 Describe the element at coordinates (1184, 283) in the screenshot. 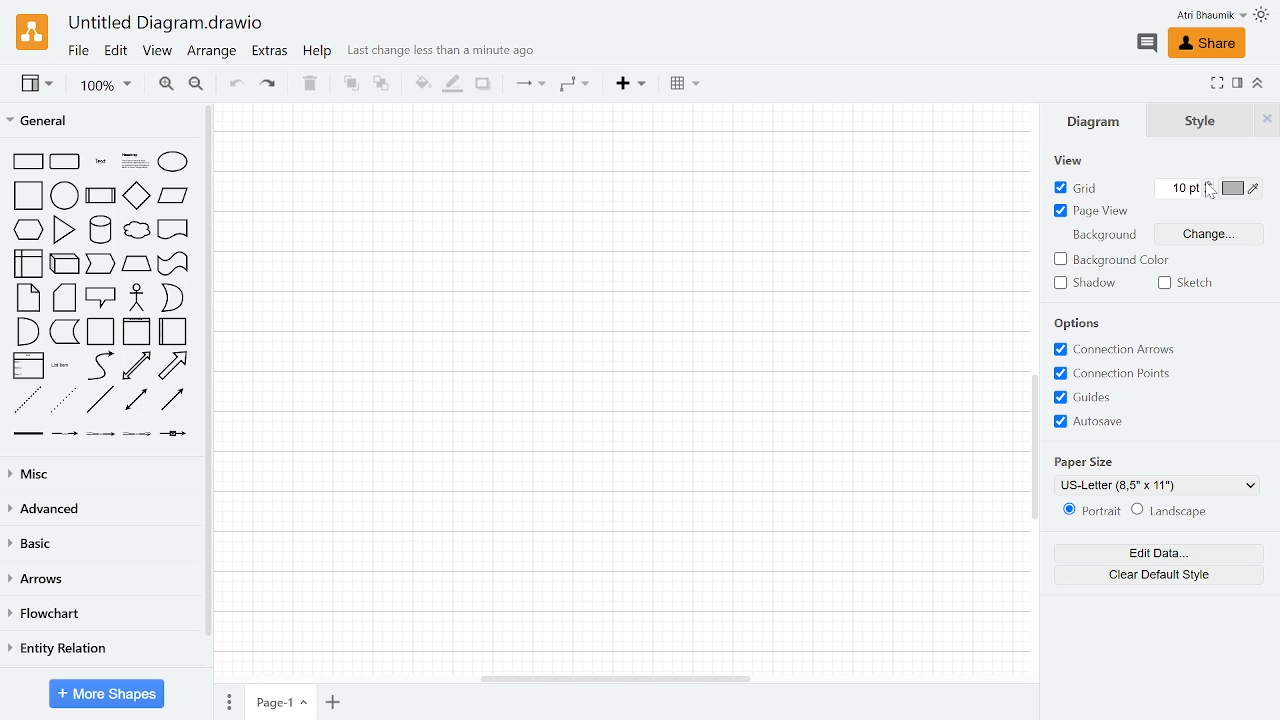

I see `Sketch` at that location.